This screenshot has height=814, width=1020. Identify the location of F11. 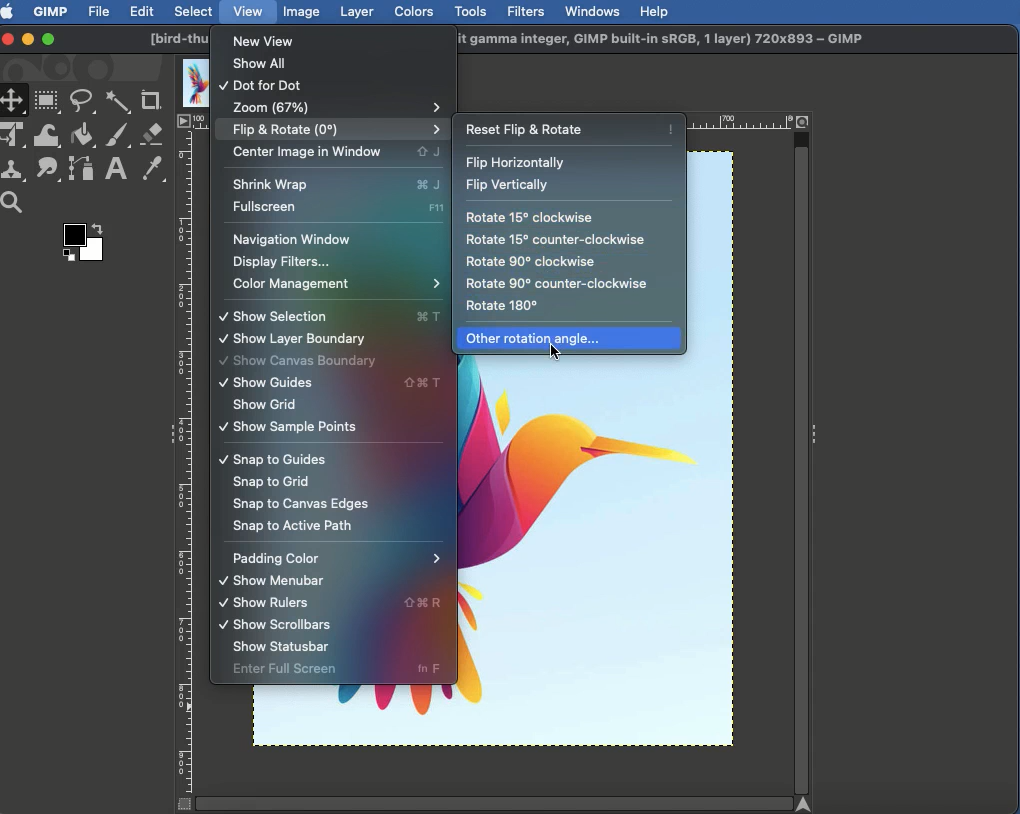
(436, 207).